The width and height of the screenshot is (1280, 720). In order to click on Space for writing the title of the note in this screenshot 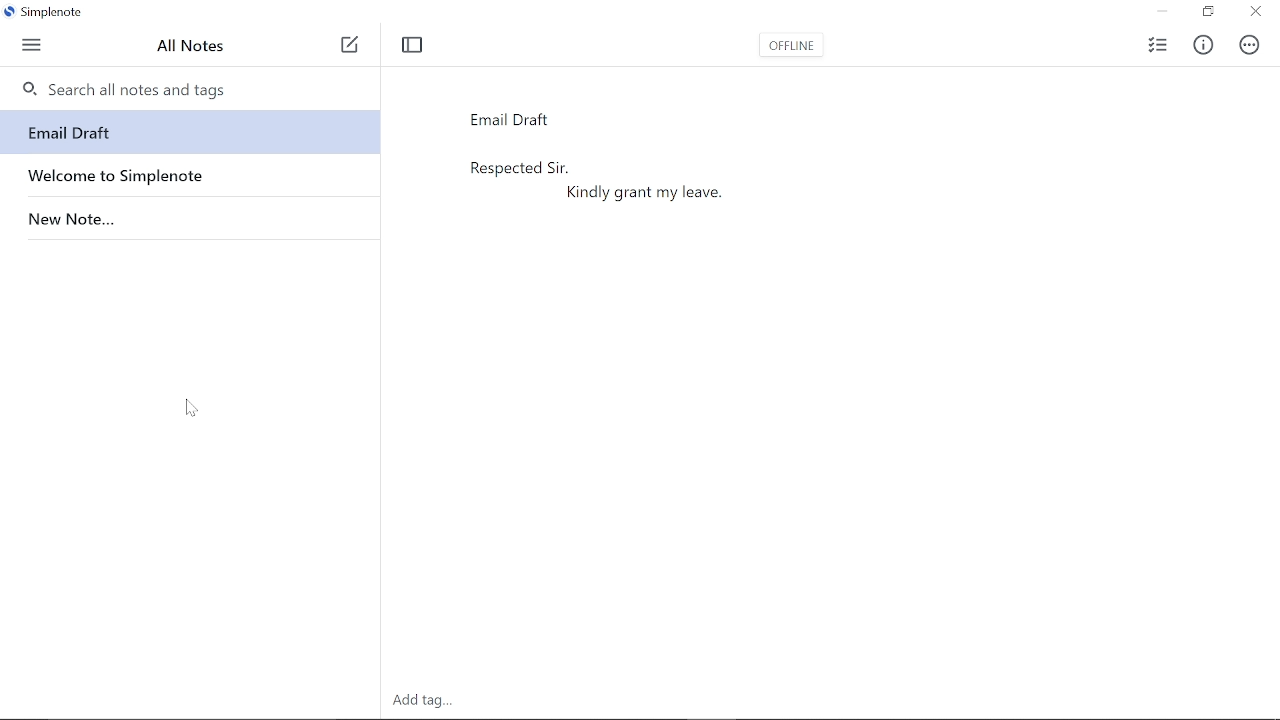, I will do `click(559, 117)`.